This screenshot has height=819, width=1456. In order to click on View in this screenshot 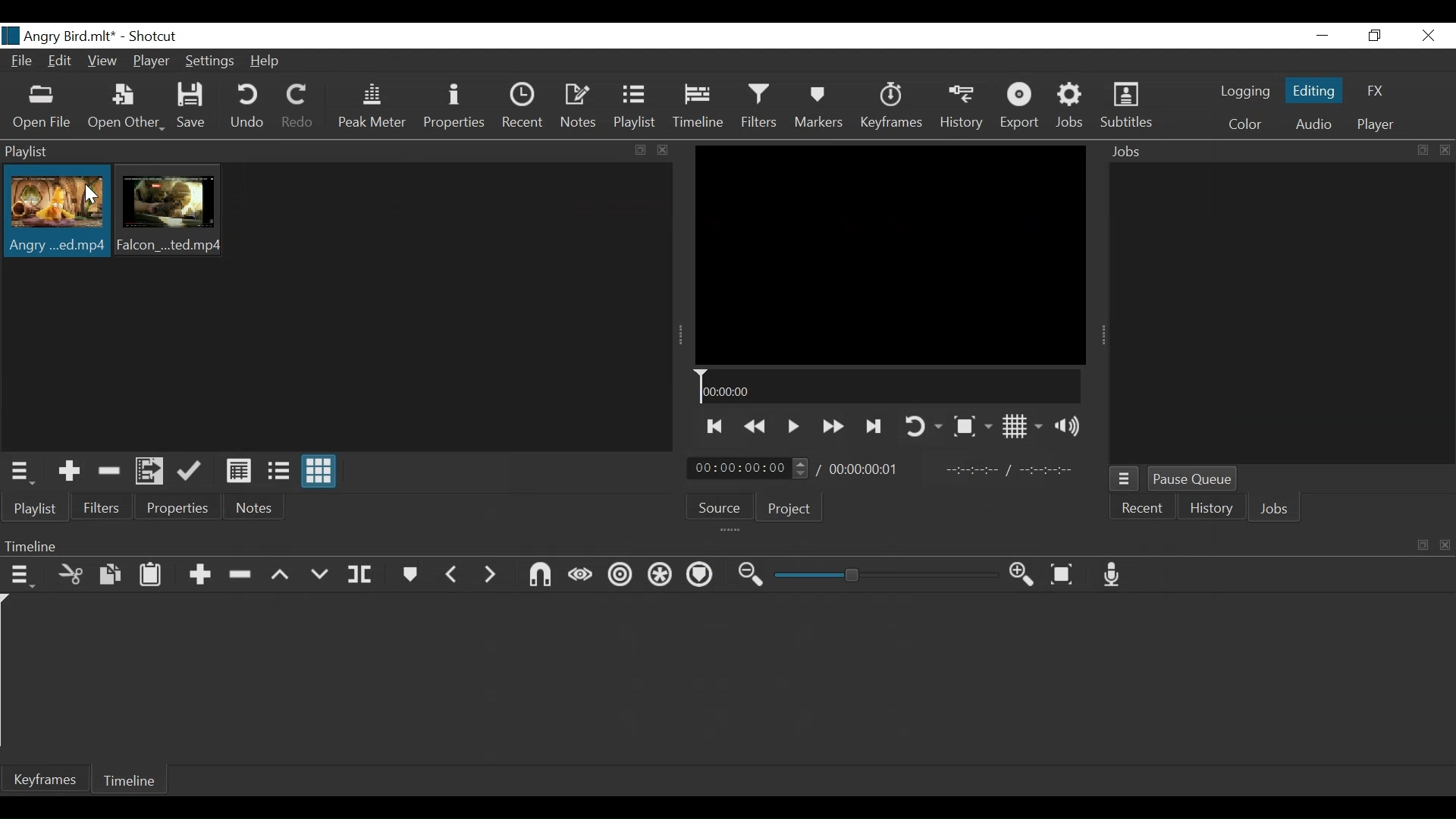, I will do `click(102, 61)`.